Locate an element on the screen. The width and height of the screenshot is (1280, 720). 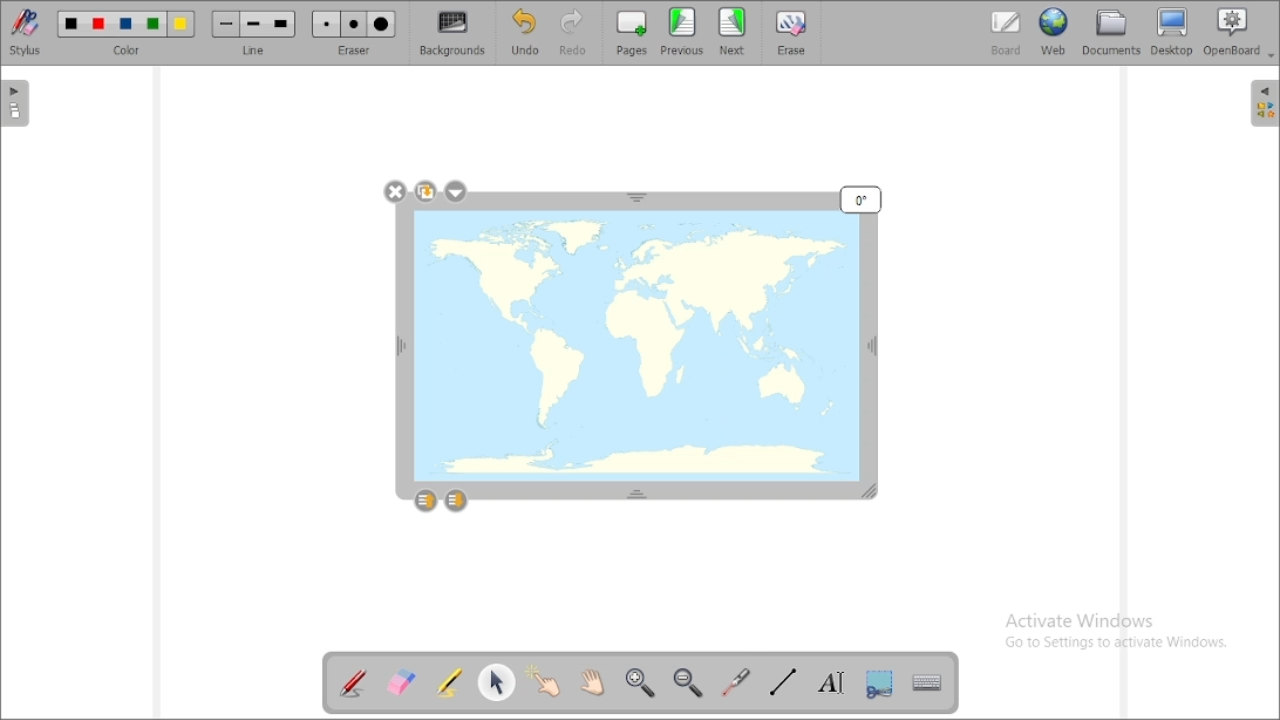
color is located at coordinates (127, 32).